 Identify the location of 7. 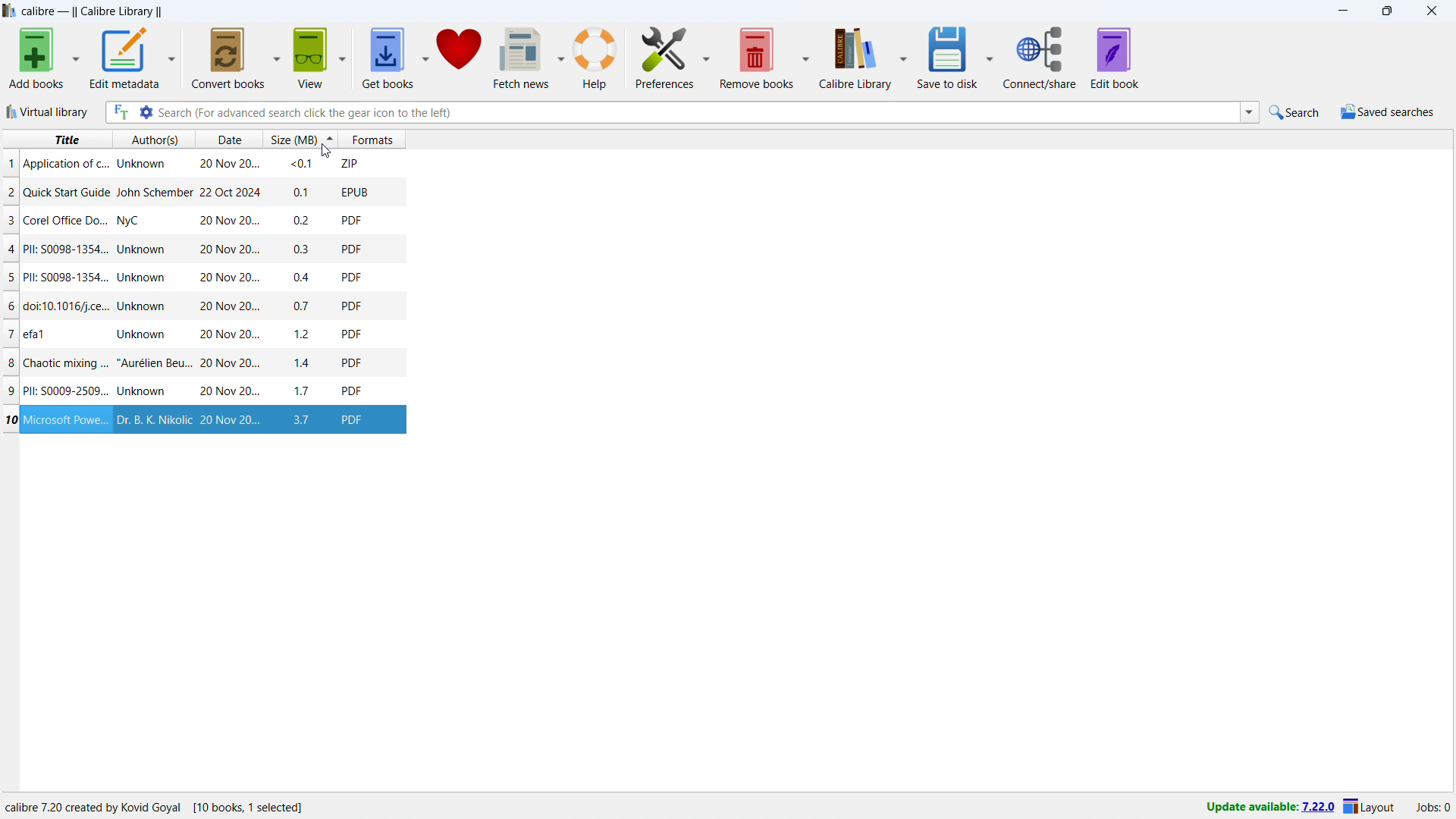
(9, 334).